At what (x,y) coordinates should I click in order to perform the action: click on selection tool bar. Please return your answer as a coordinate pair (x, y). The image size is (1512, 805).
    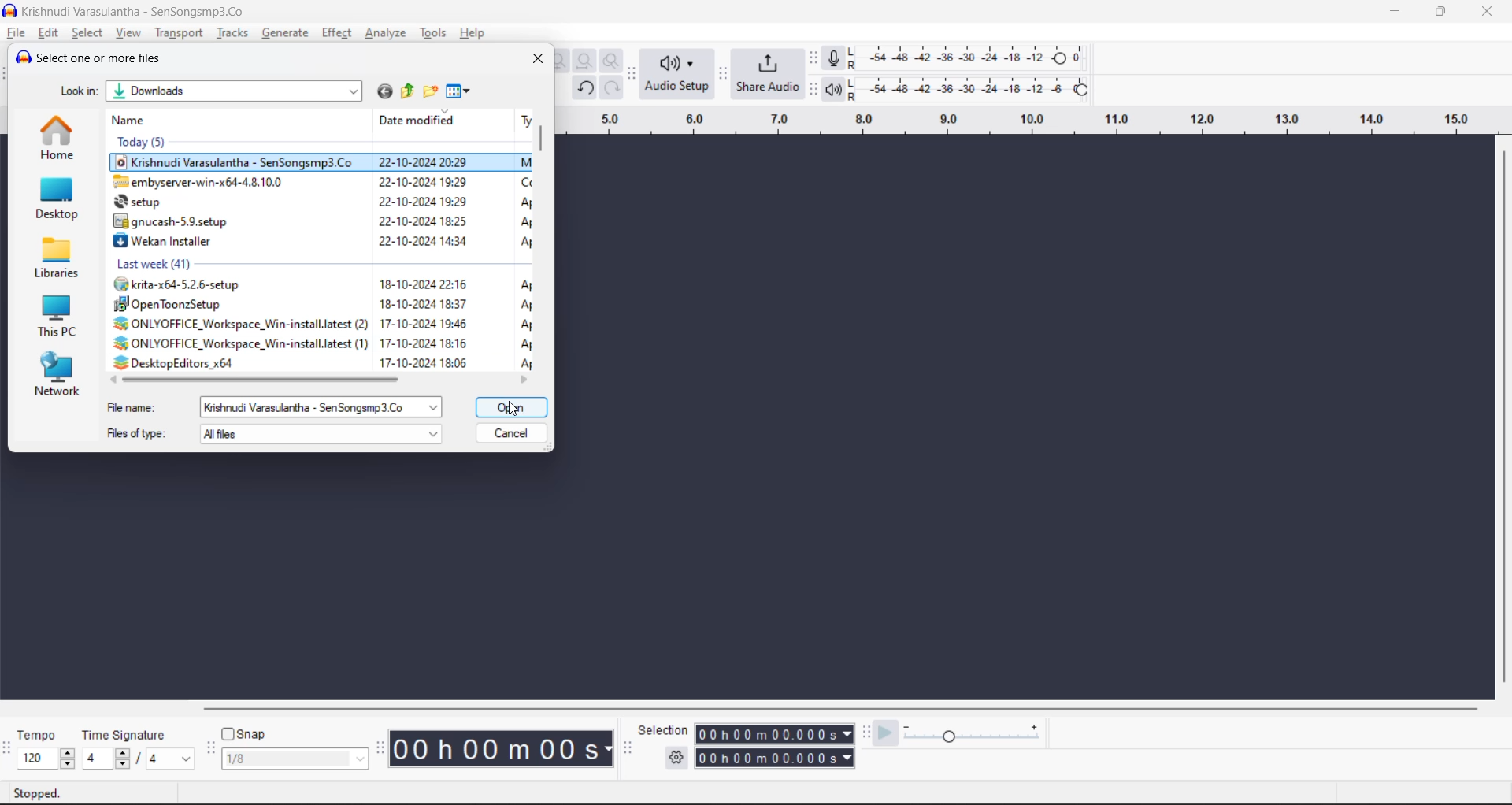
    Looking at the image, I should click on (625, 748).